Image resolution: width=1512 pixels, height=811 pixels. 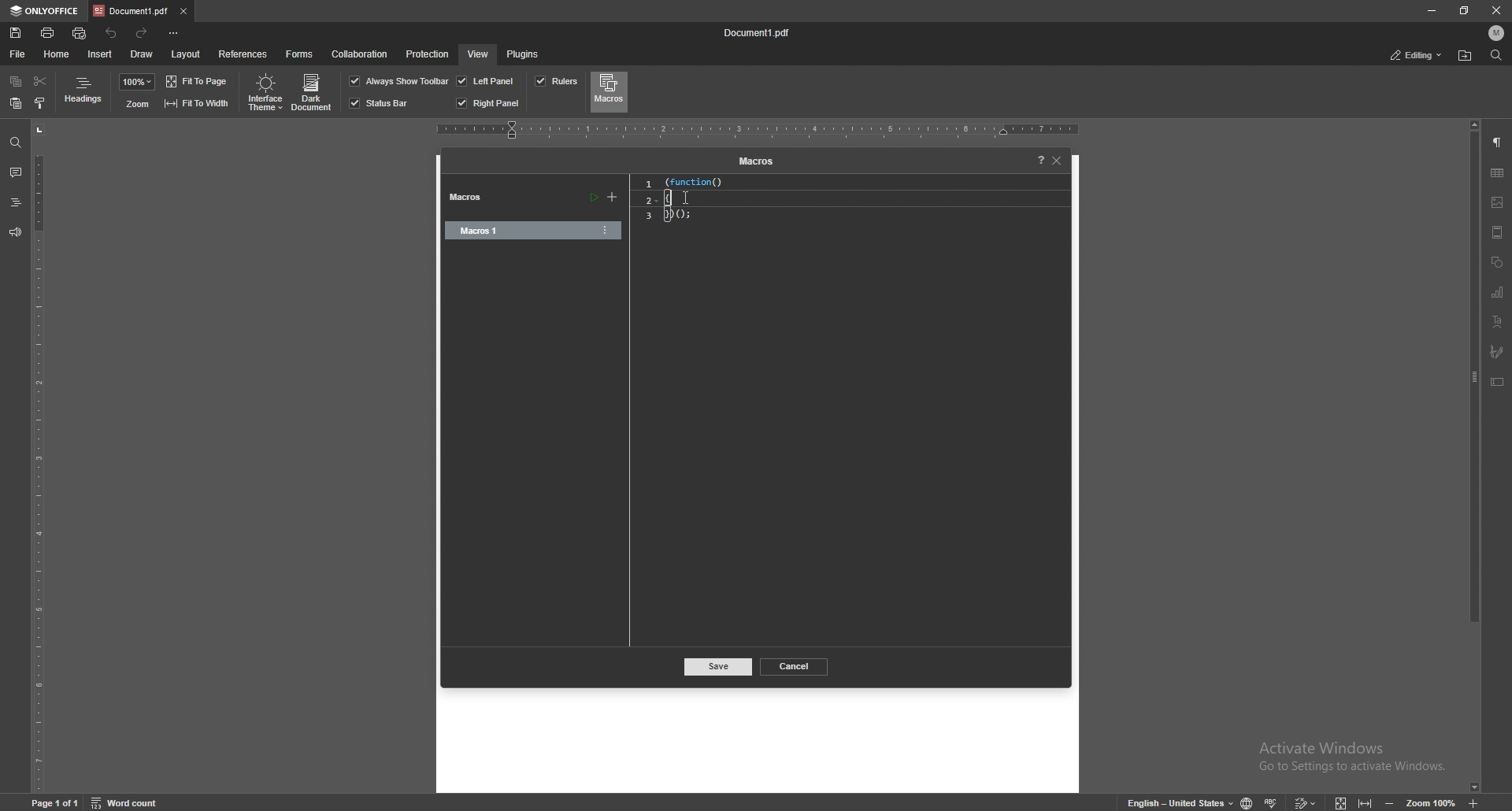 I want to click on zoom, so click(x=137, y=82).